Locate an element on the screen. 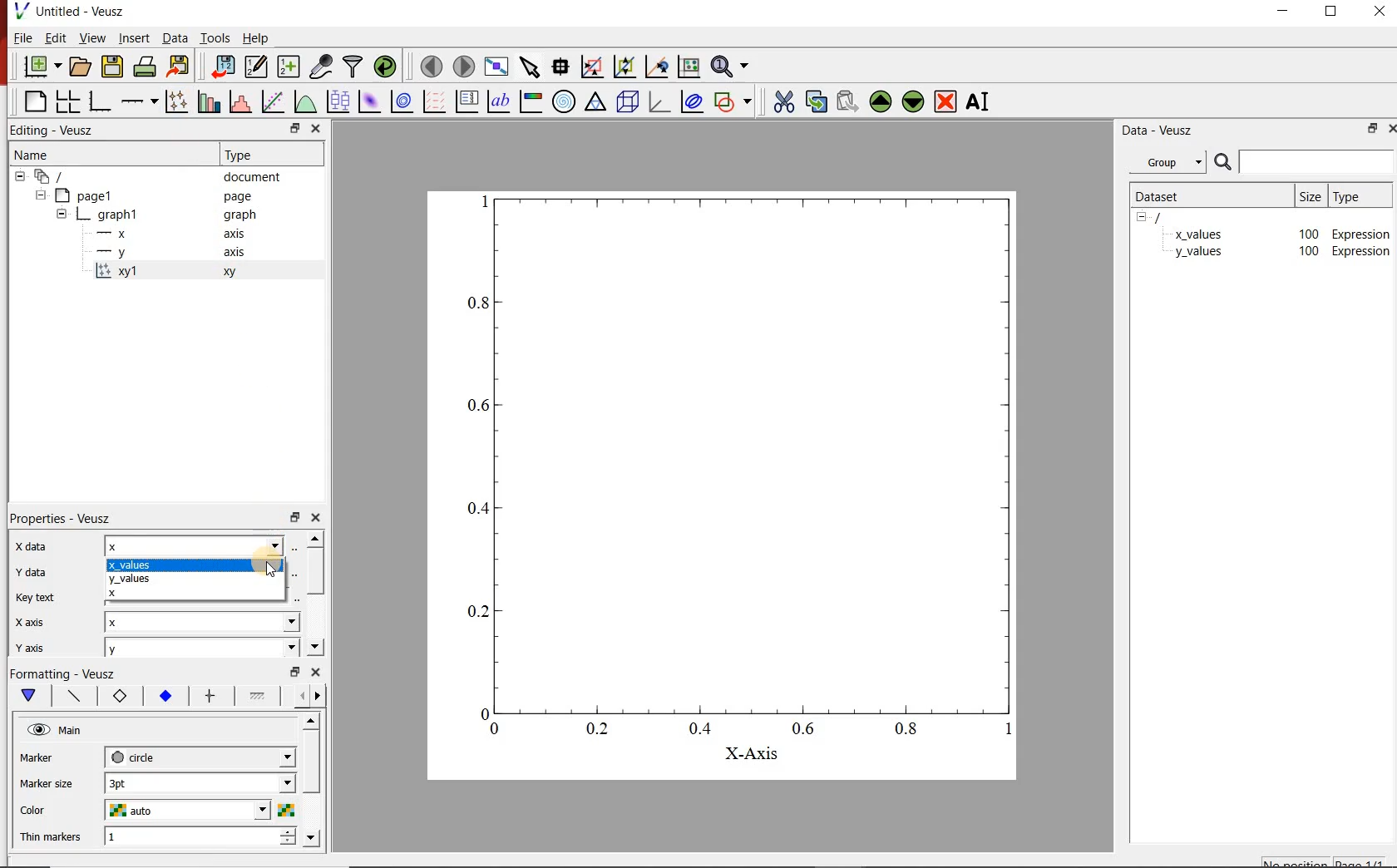 The image size is (1397, 868). plot a function is located at coordinates (303, 100).